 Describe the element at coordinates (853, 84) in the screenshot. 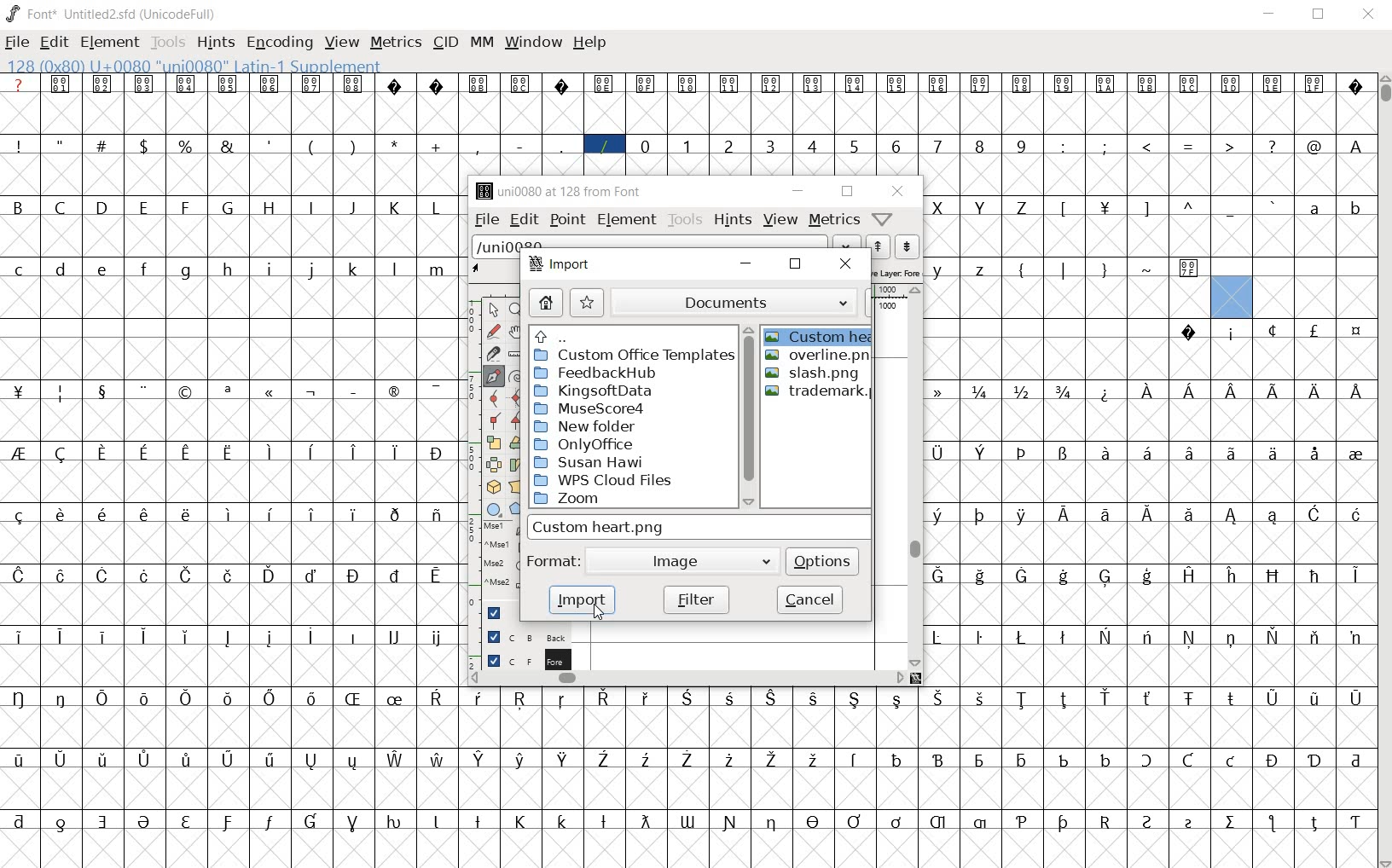

I see `glyph` at that location.